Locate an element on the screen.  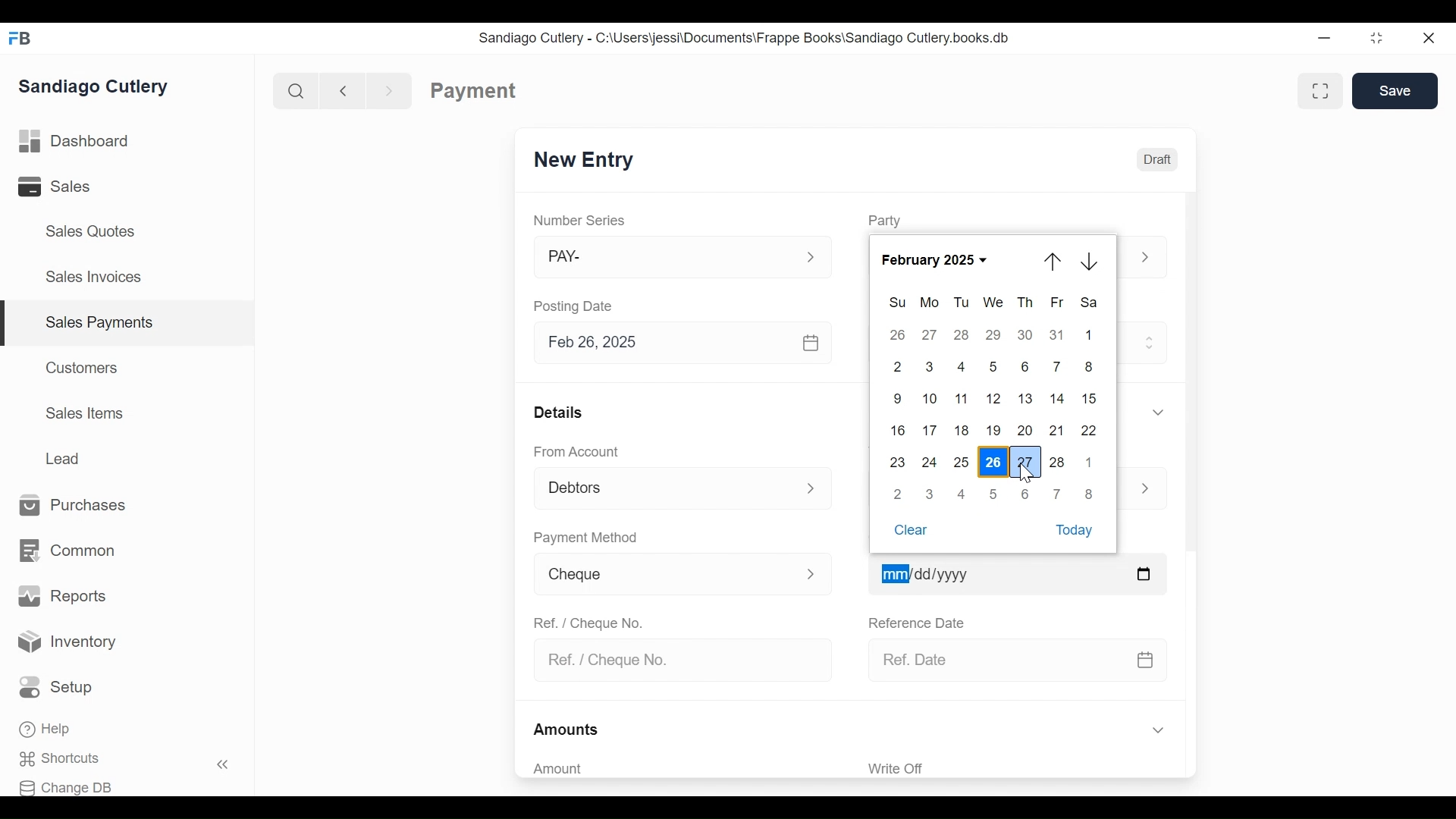
8 is located at coordinates (1089, 495).